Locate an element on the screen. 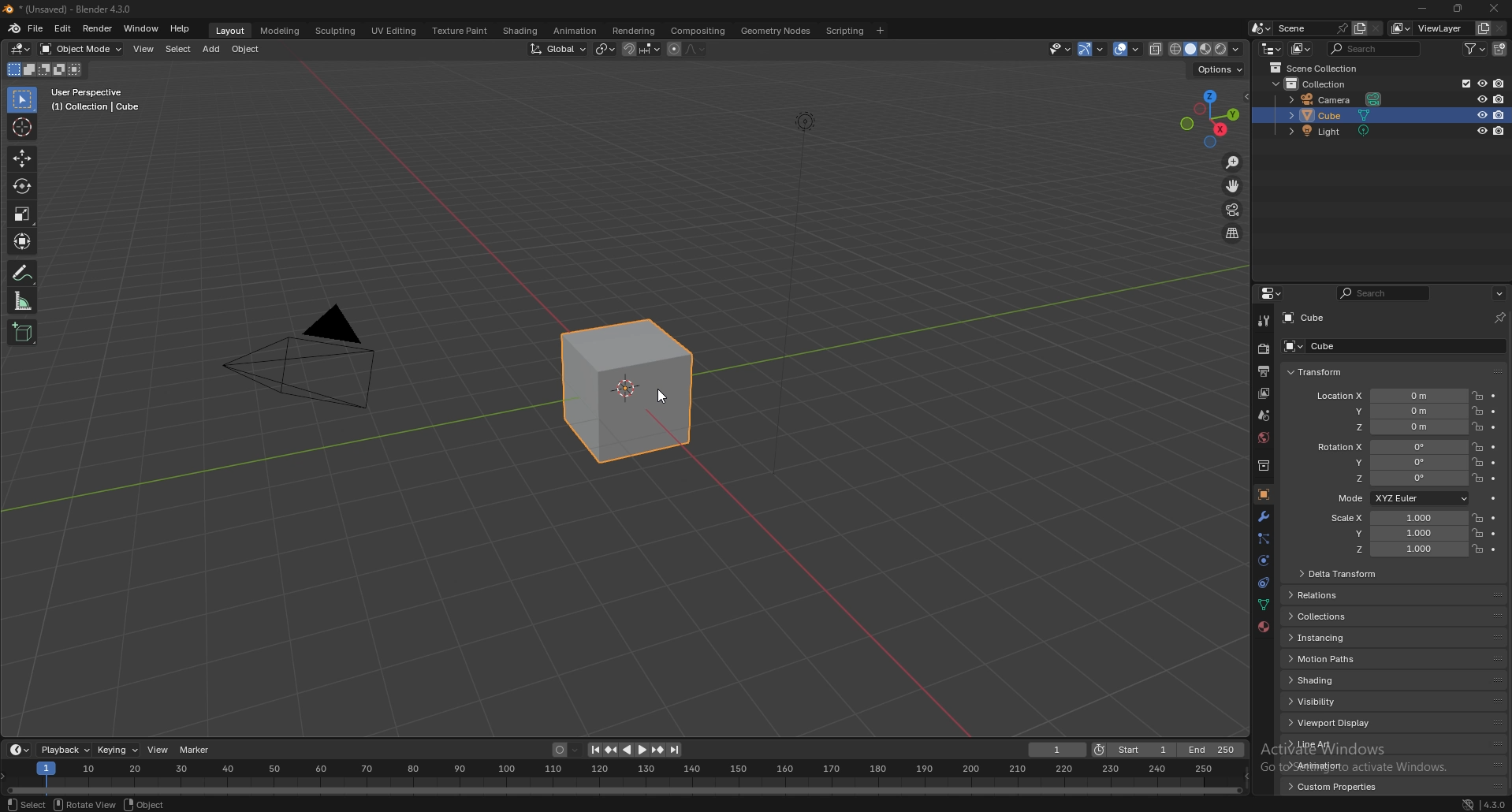 This screenshot has height=812, width=1512. rendering is located at coordinates (634, 32).